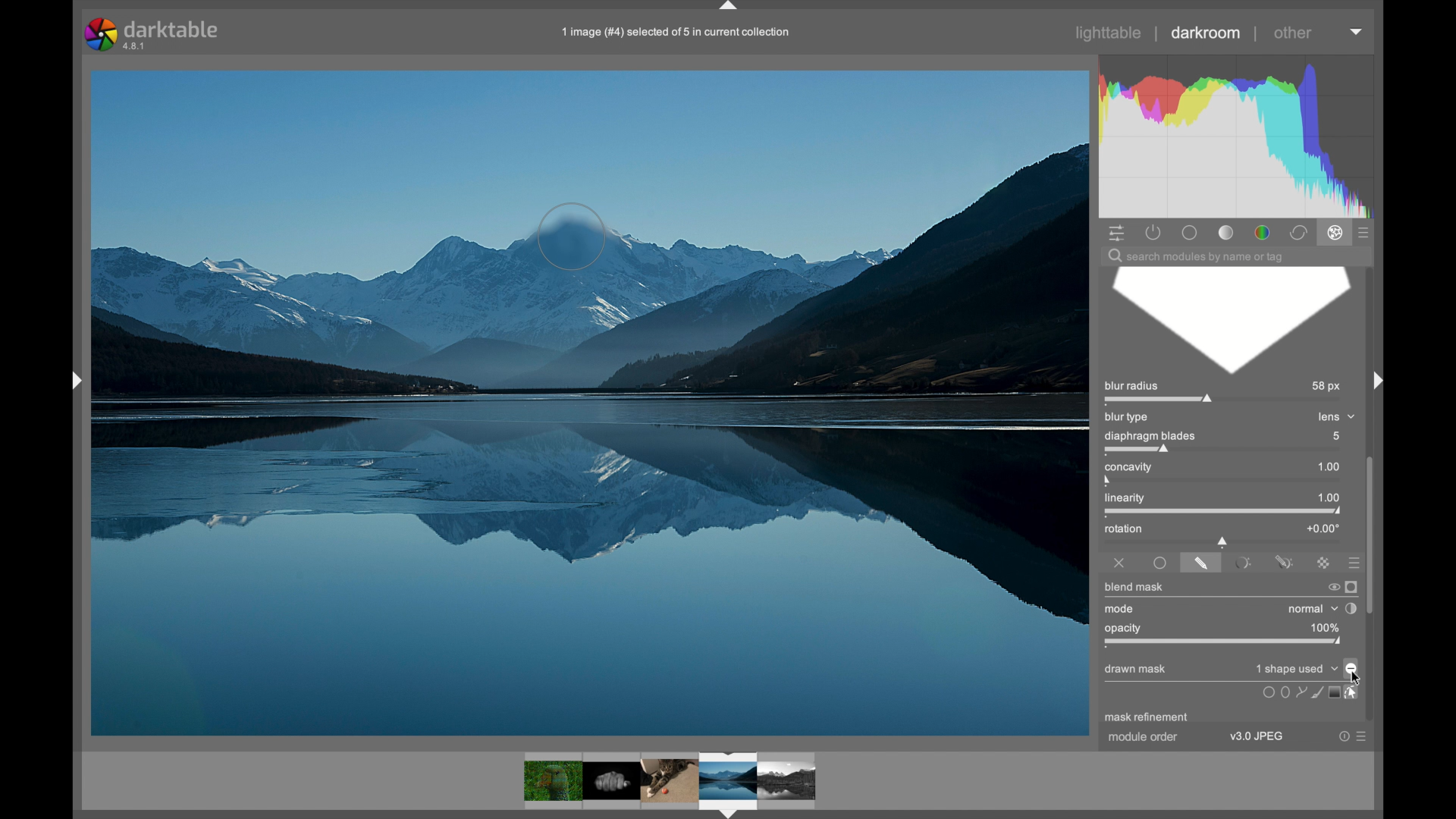 The width and height of the screenshot is (1456, 819). What do you see at coordinates (1352, 586) in the screenshot?
I see `display mask` at bounding box center [1352, 586].